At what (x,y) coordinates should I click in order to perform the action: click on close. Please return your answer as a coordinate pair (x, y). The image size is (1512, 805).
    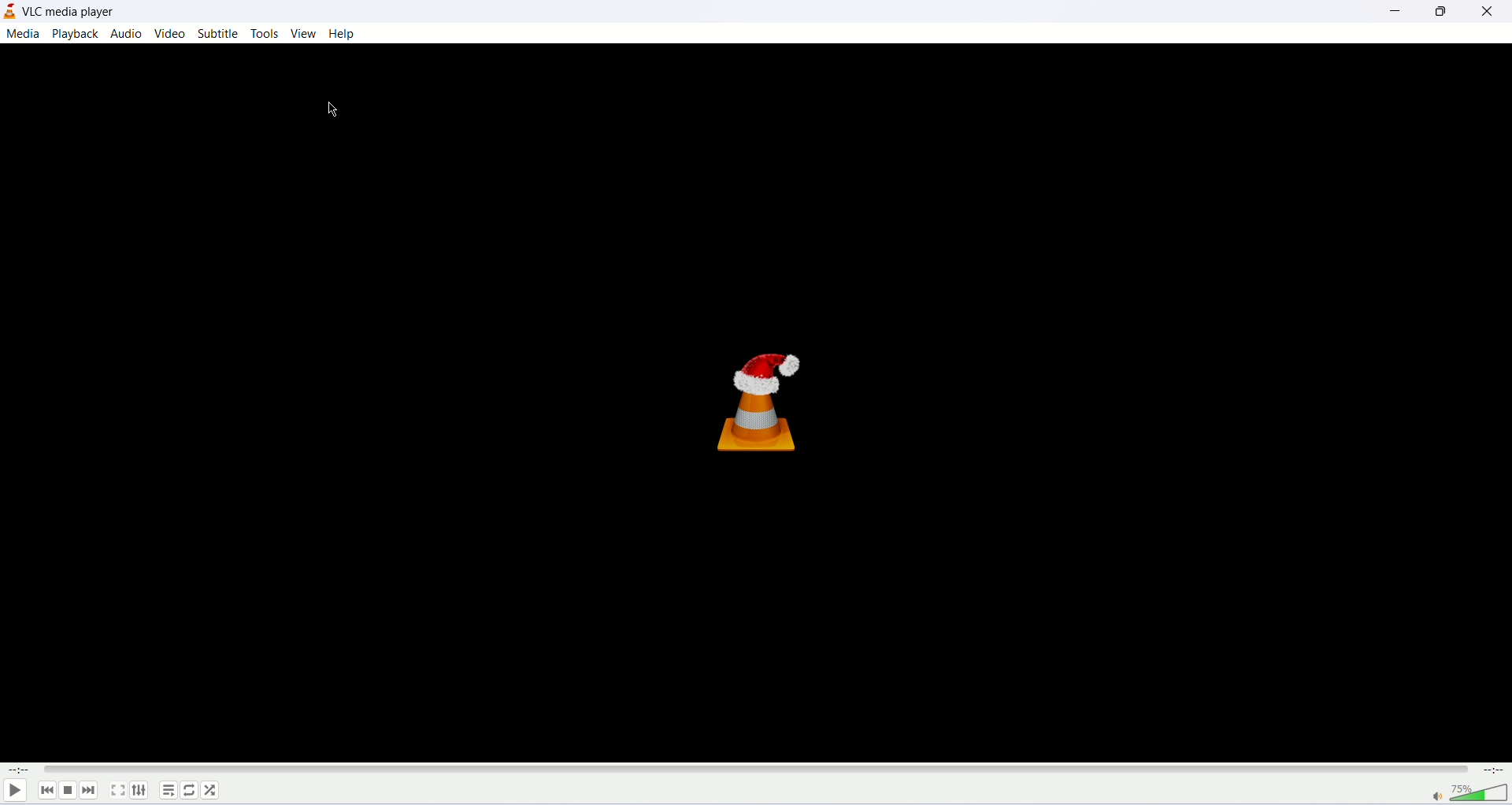
    Looking at the image, I should click on (1489, 12).